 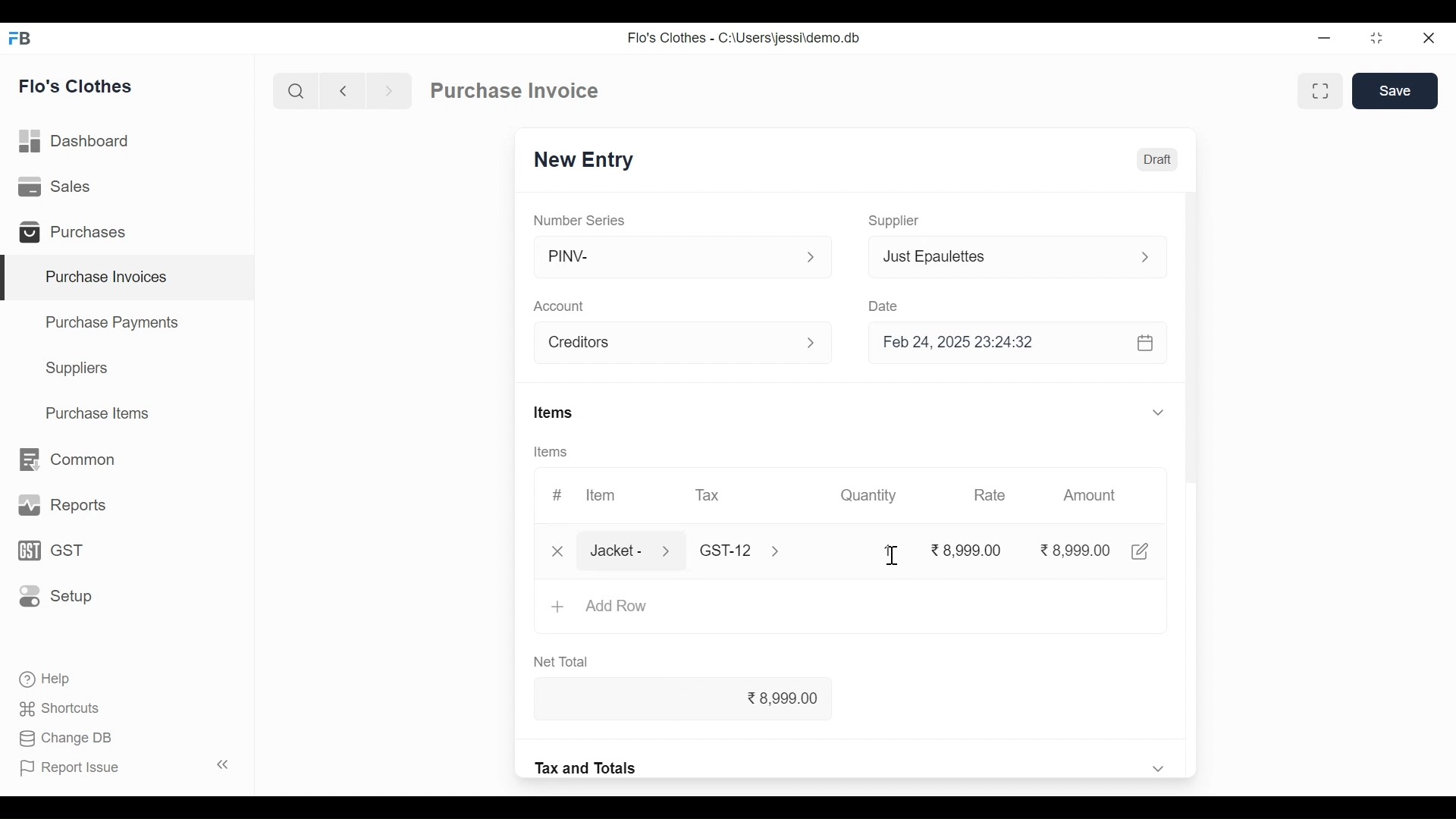 What do you see at coordinates (1317, 93) in the screenshot?
I see `Toggle between form and full width` at bounding box center [1317, 93].